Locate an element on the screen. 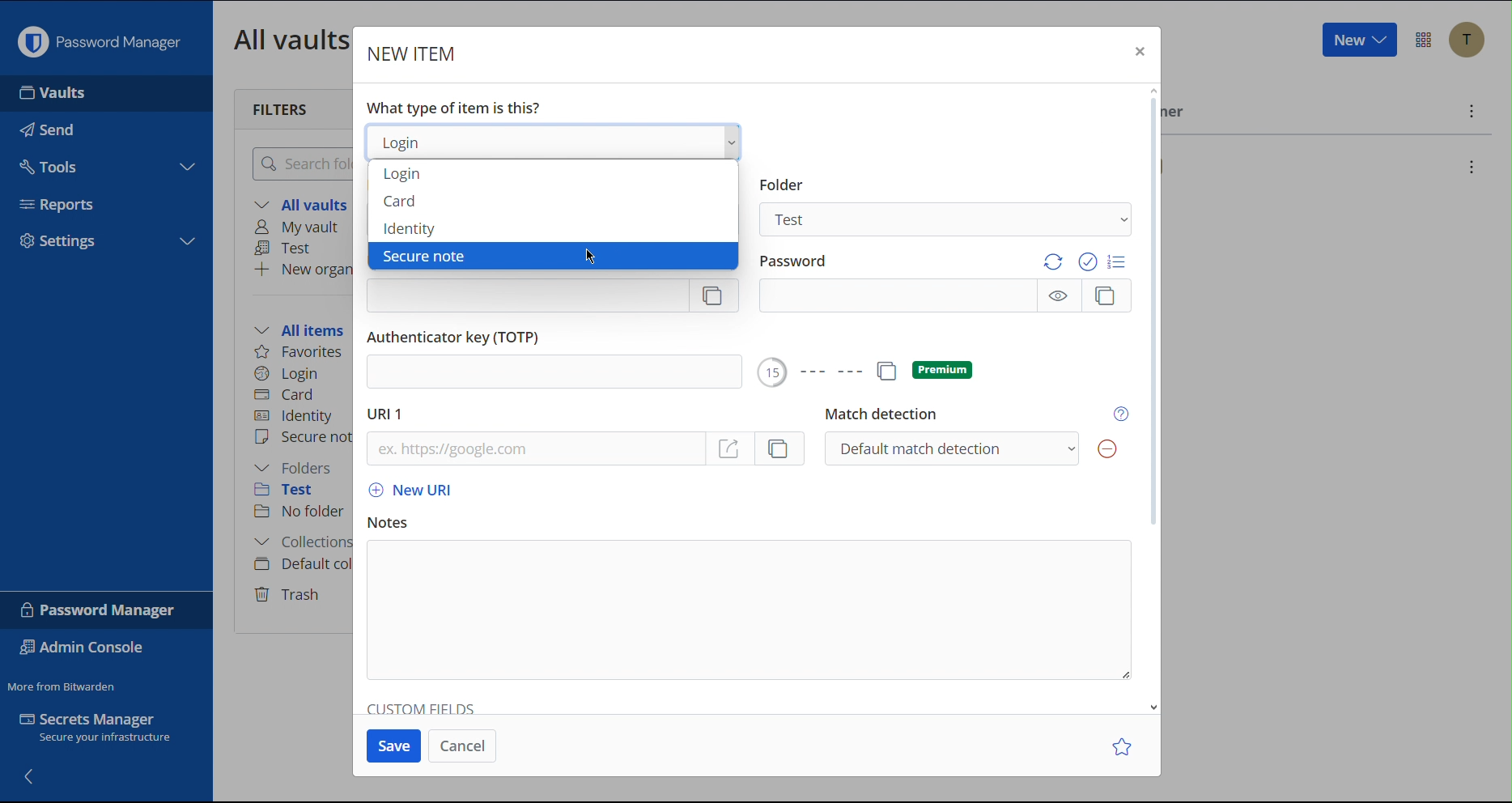 The image size is (1512, 803). Search Folder is located at coordinates (298, 163).